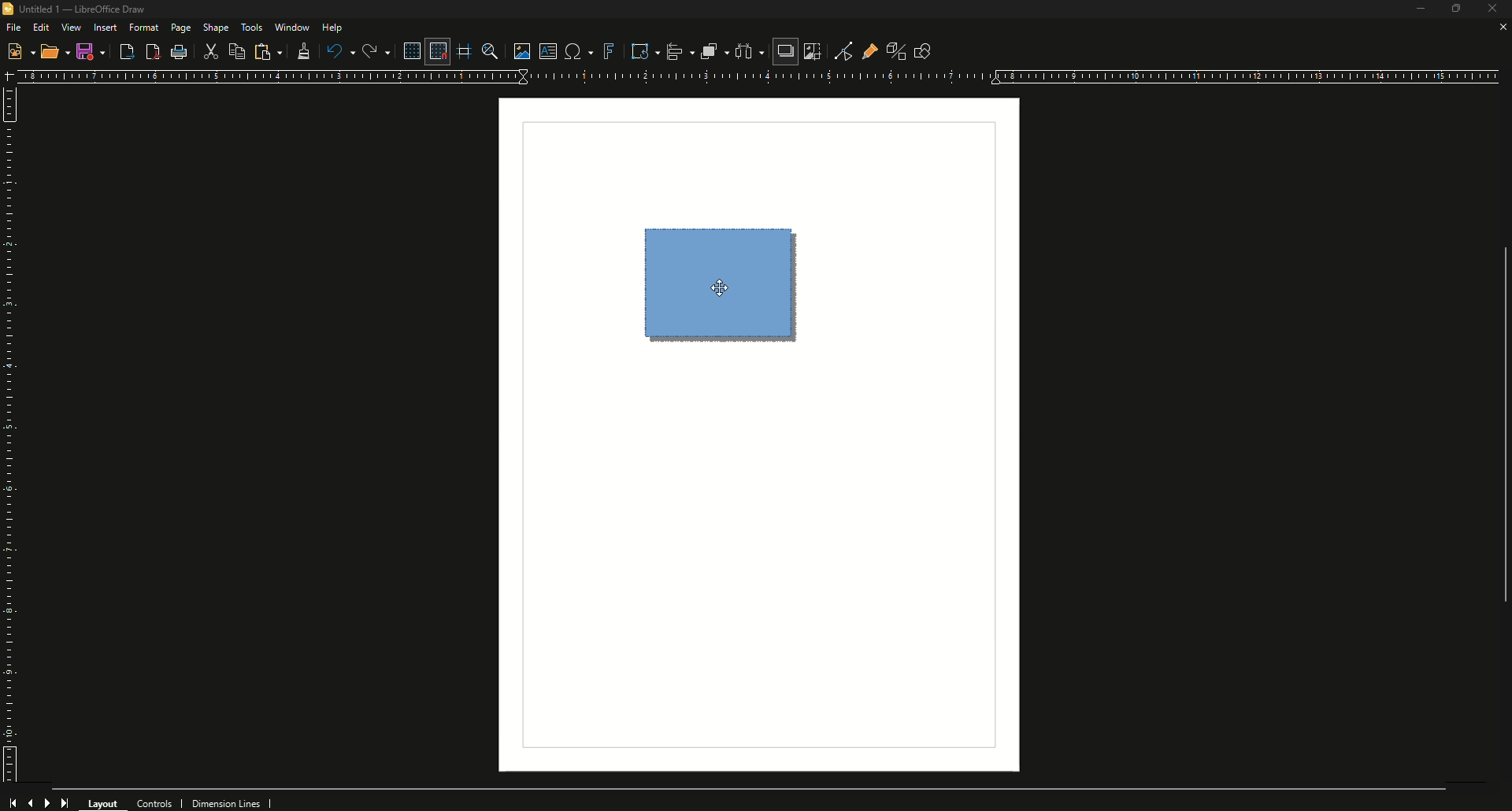 Image resolution: width=1512 pixels, height=811 pixels. I want to click on scroll, so click(1497, 437).